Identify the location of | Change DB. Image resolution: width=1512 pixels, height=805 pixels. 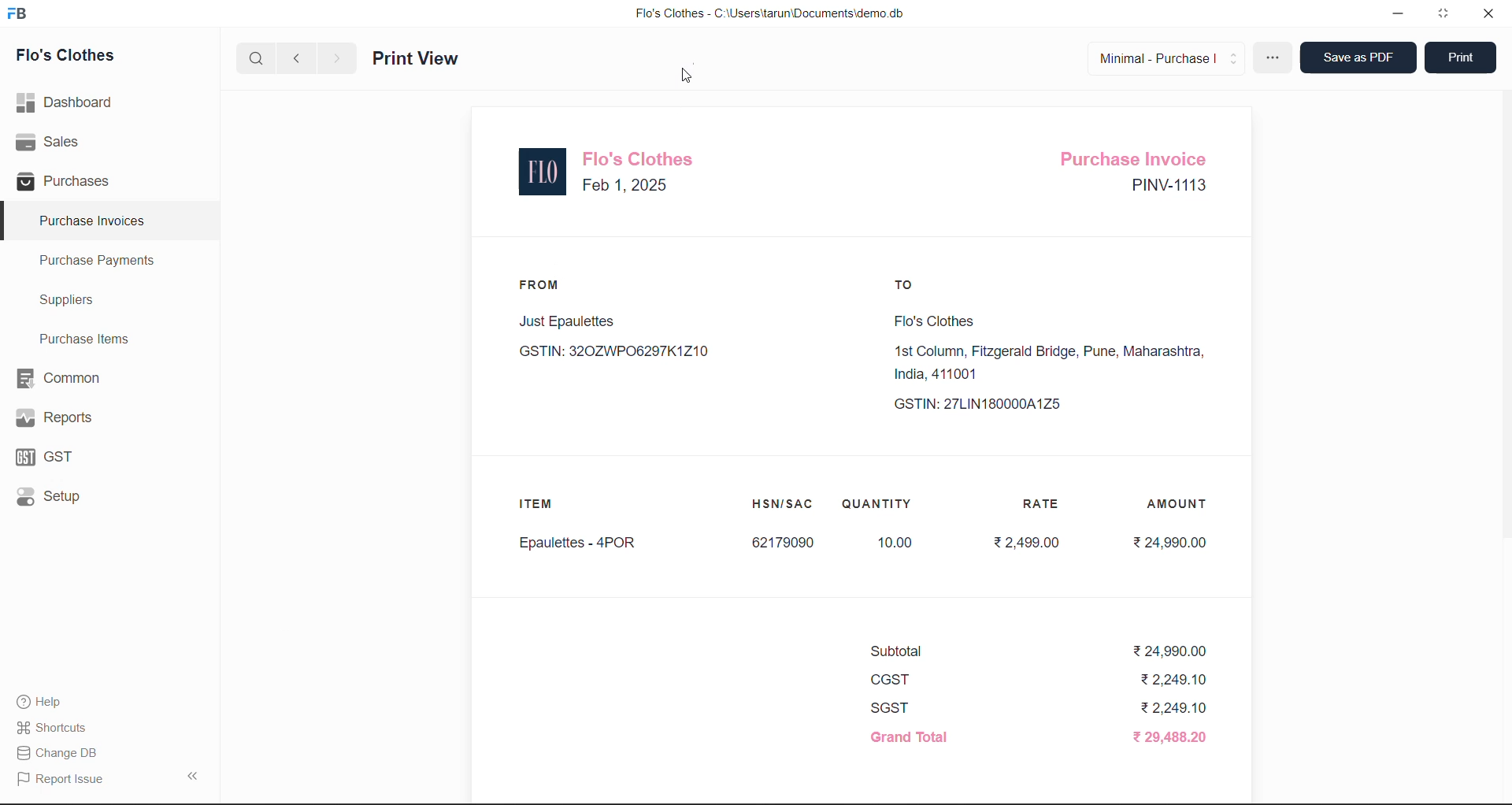
(61, 752).